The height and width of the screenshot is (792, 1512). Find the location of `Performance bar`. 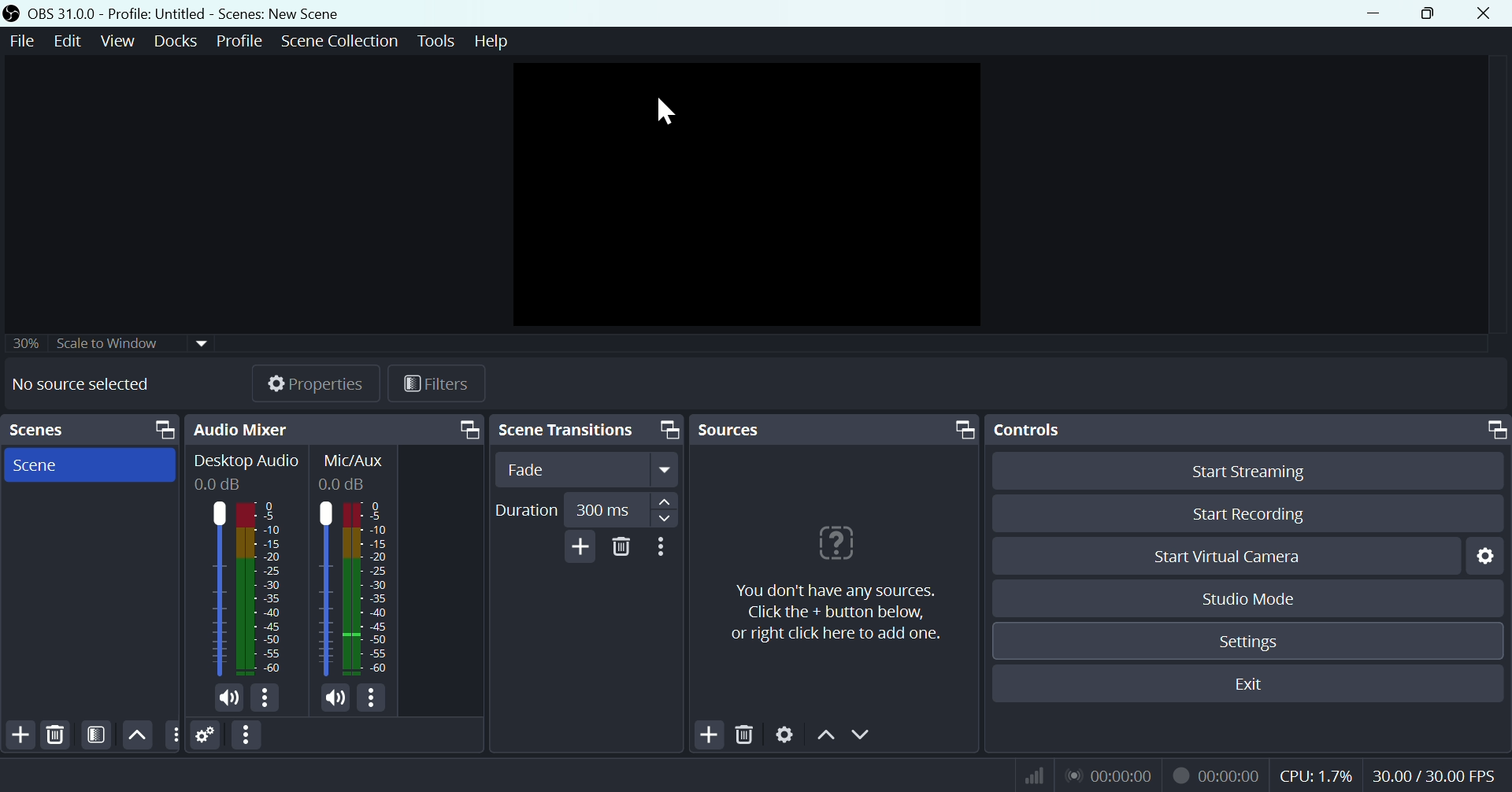

Performance bar is located at coordinates (1388, 775).